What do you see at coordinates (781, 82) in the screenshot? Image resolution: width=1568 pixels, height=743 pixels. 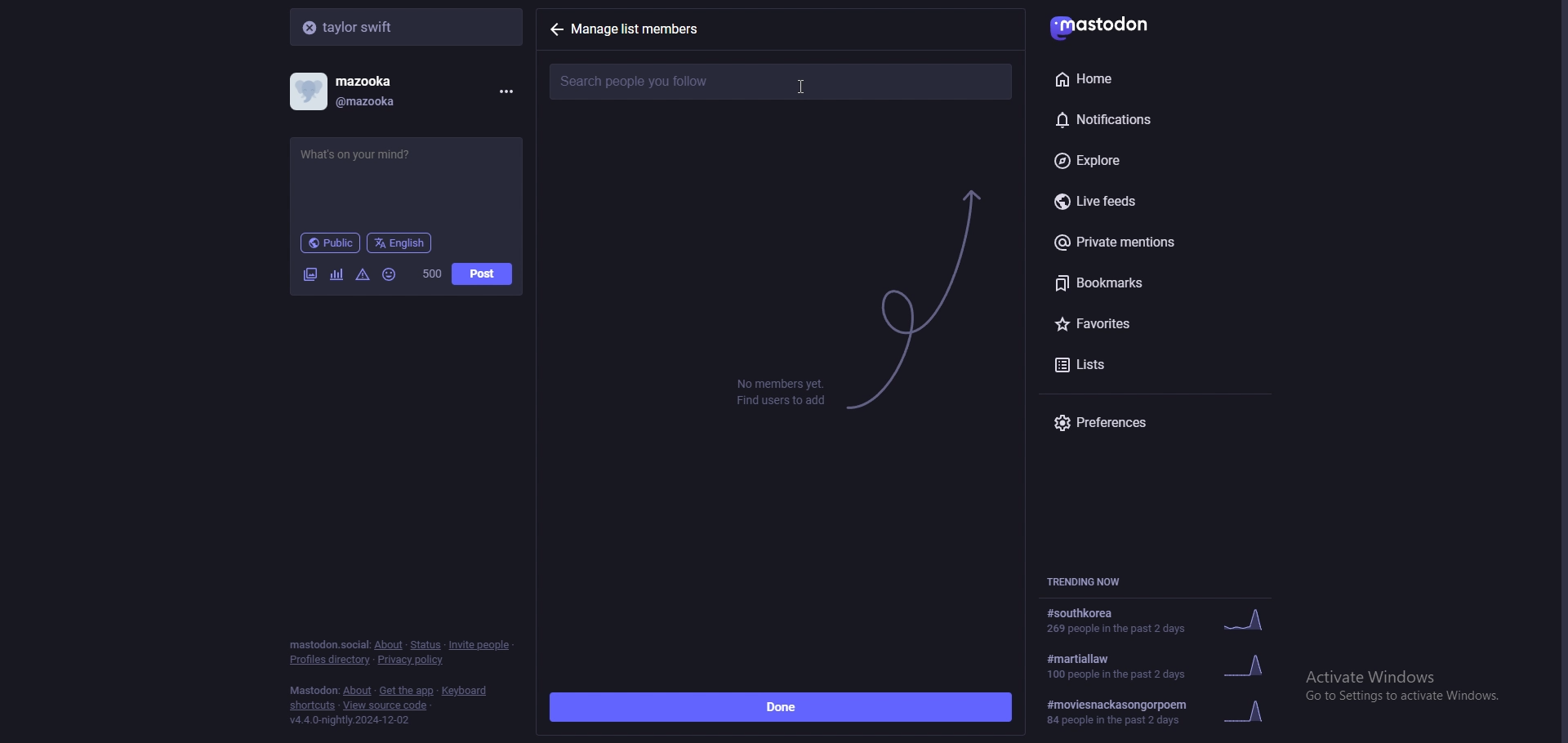 I see `list members input` at bounding box center [781, 82].